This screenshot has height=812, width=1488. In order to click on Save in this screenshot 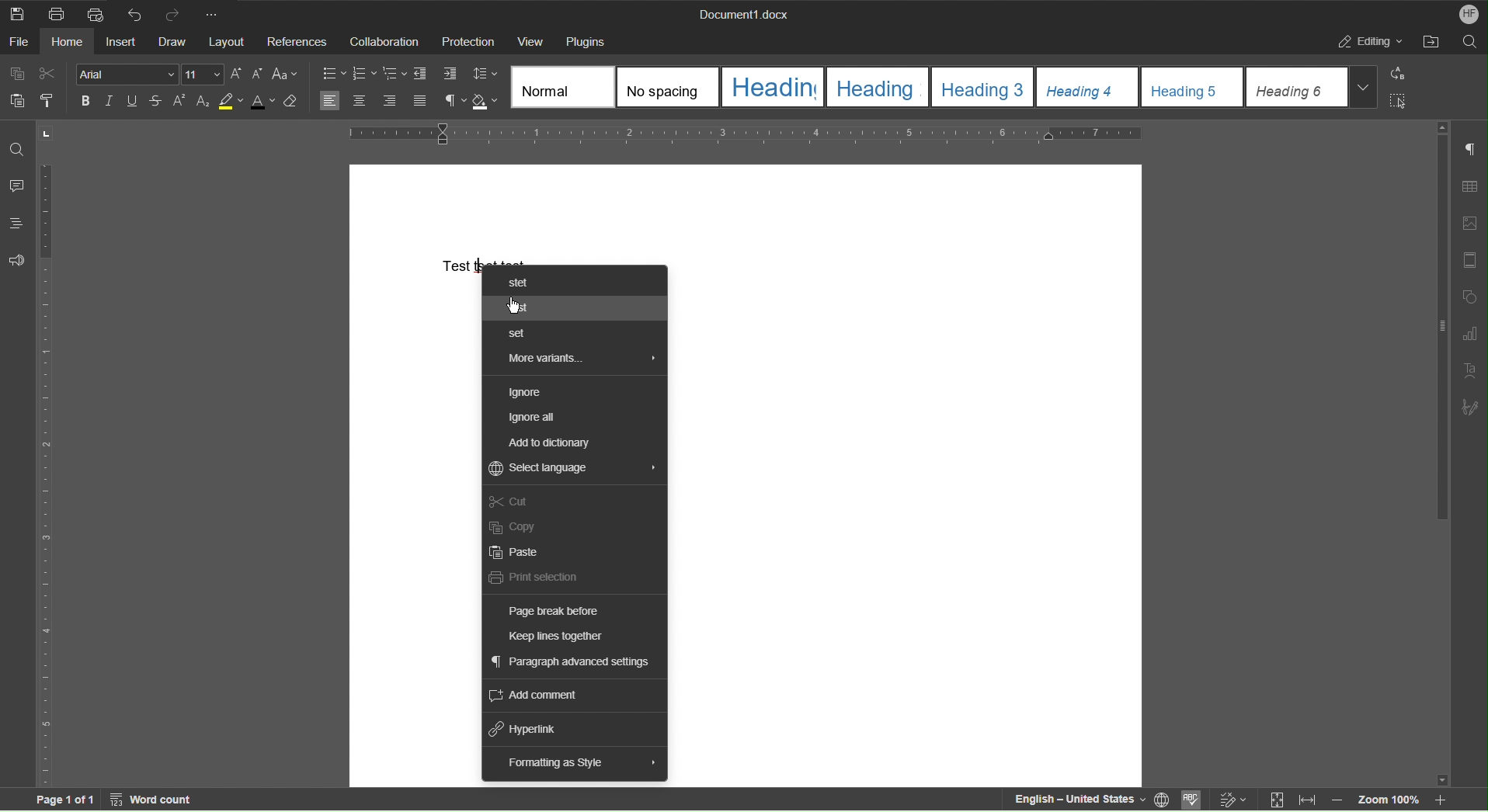, I will do `click(16, 12)`.